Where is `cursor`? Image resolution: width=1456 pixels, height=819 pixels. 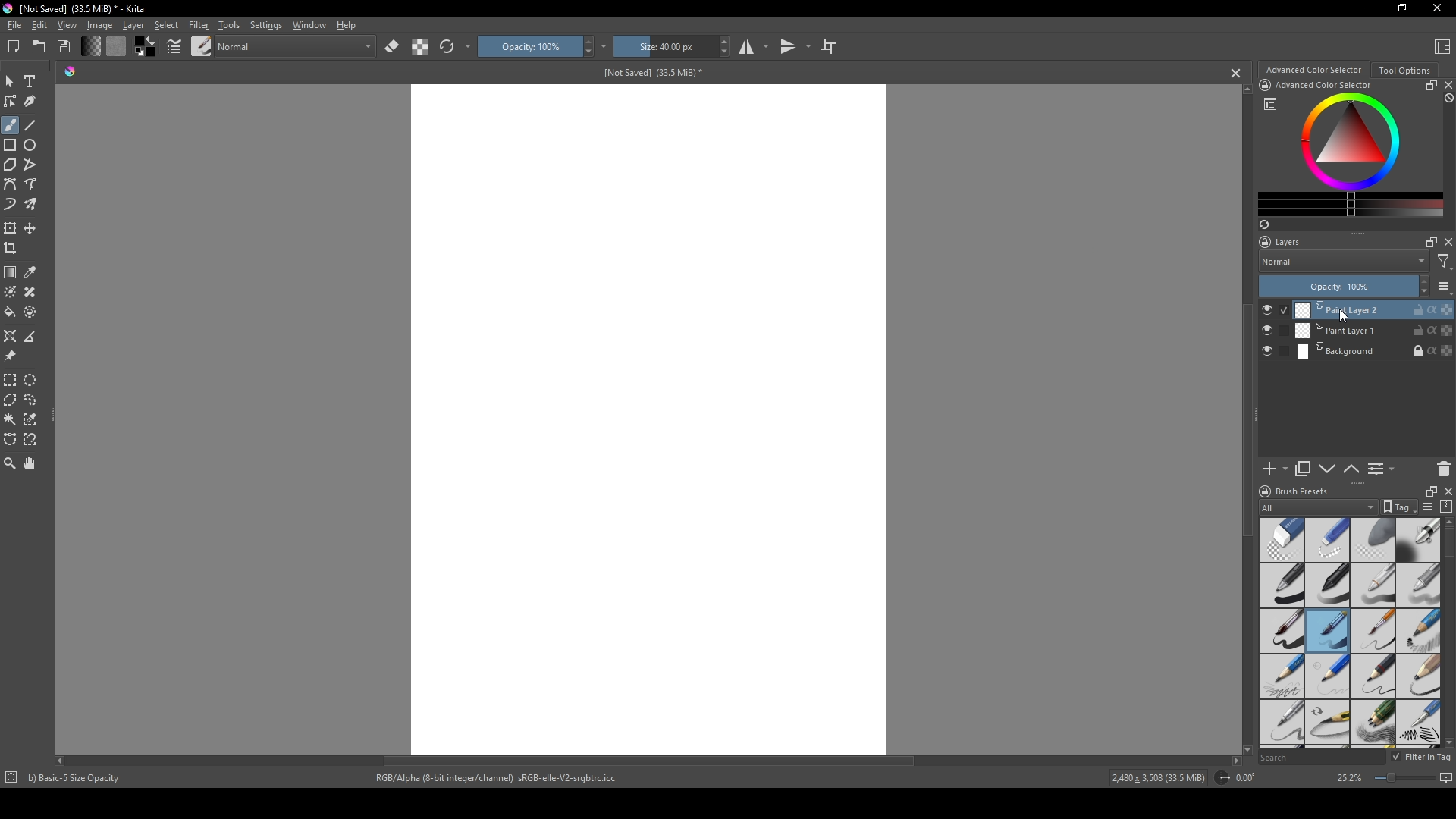
cursor is located at coordinates (1344, 316).